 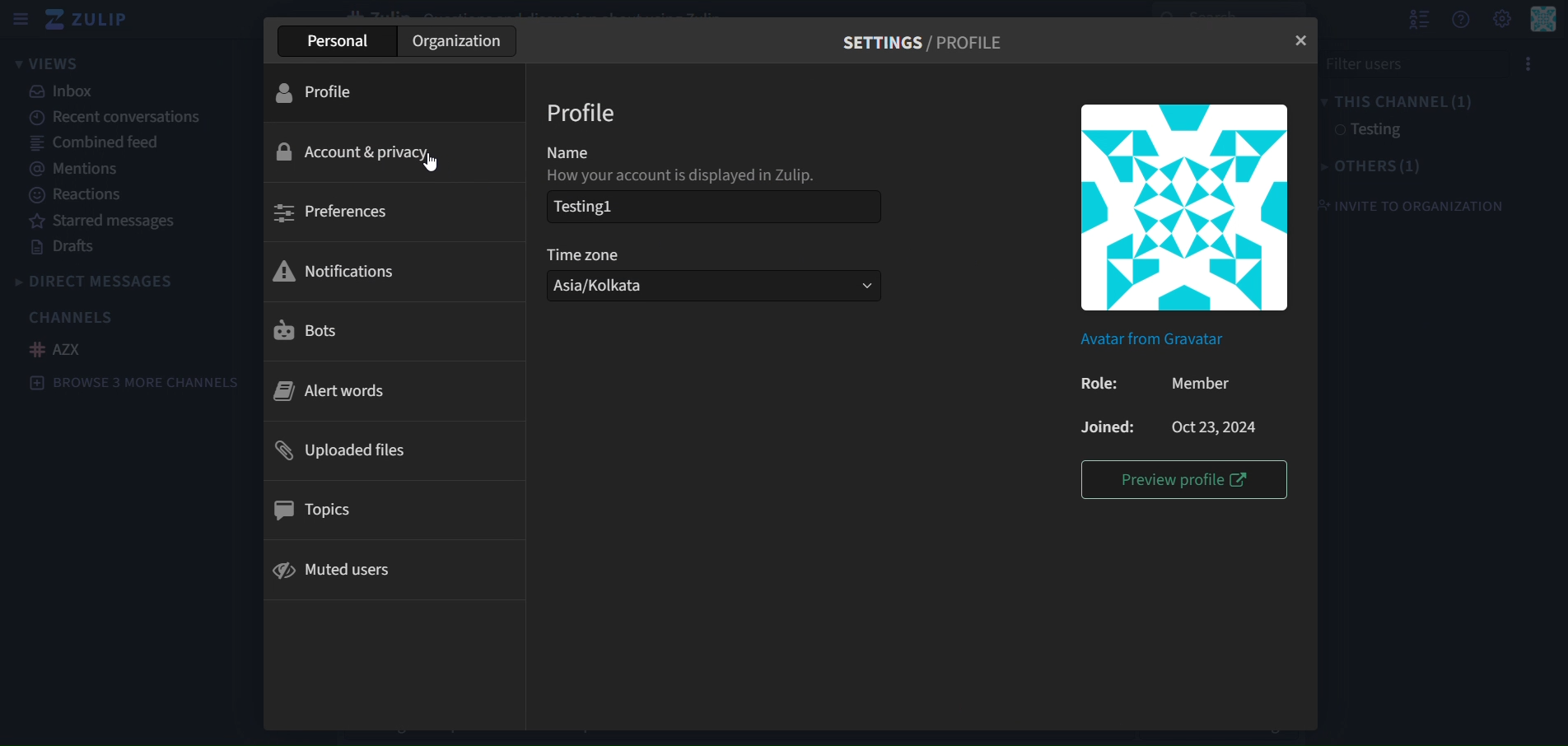 I want to click on Joined: Oct23,2024, so click(x=1169, y=429).